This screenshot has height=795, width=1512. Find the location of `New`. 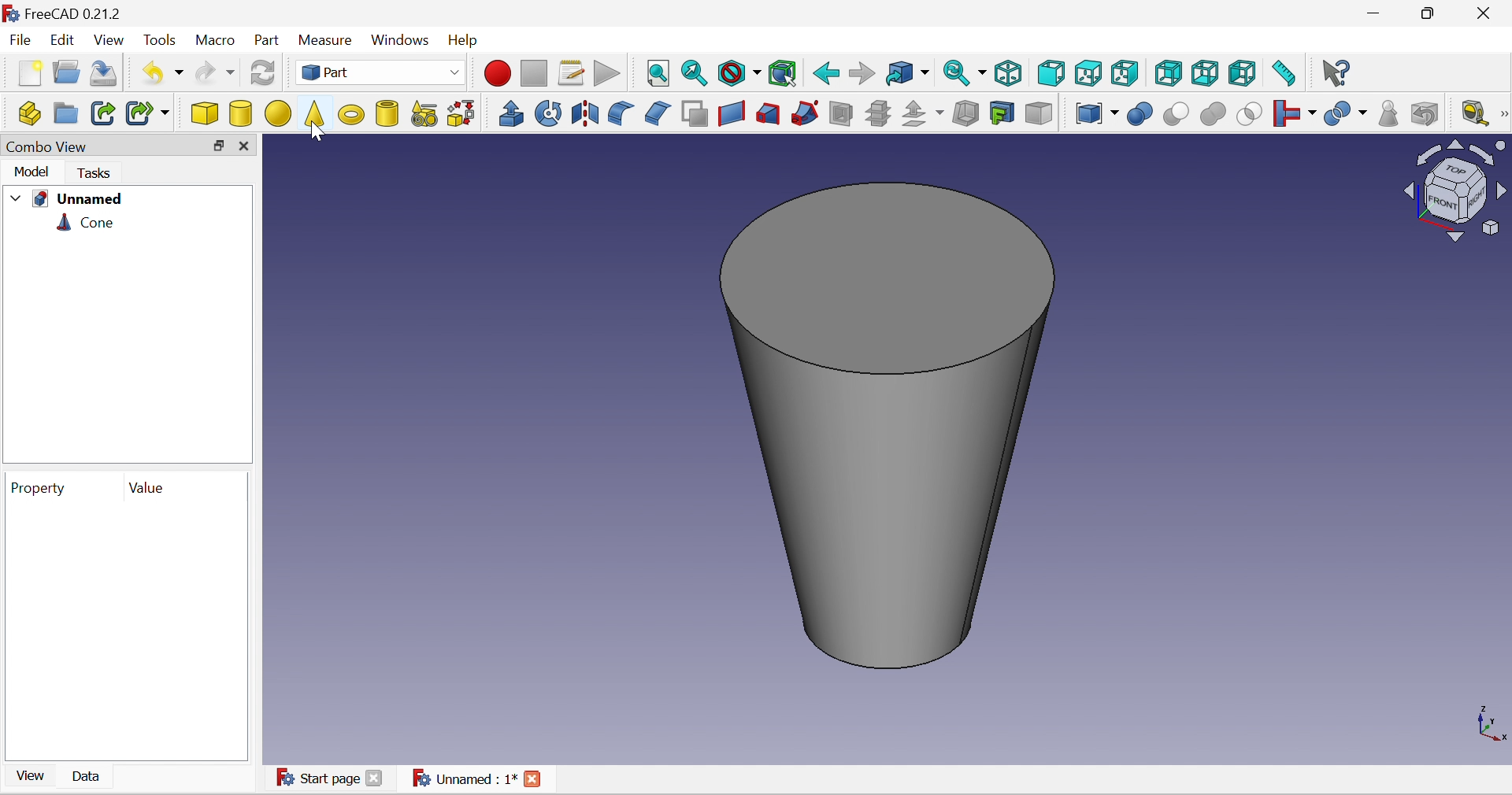

New is located at coordinates (28, 72).